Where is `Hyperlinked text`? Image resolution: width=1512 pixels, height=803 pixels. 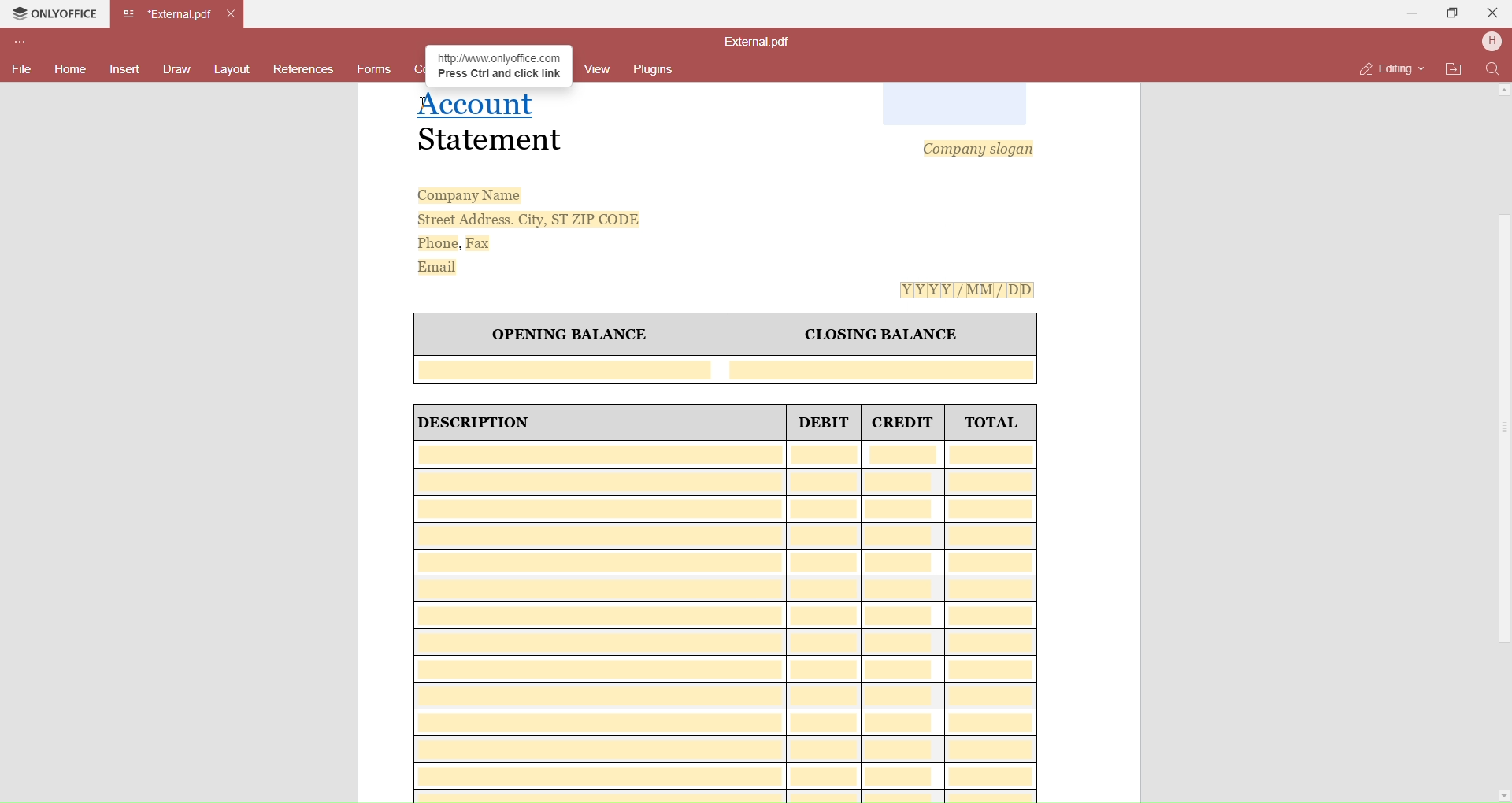 Hyperlinked text is located at coordinates (479, 105).